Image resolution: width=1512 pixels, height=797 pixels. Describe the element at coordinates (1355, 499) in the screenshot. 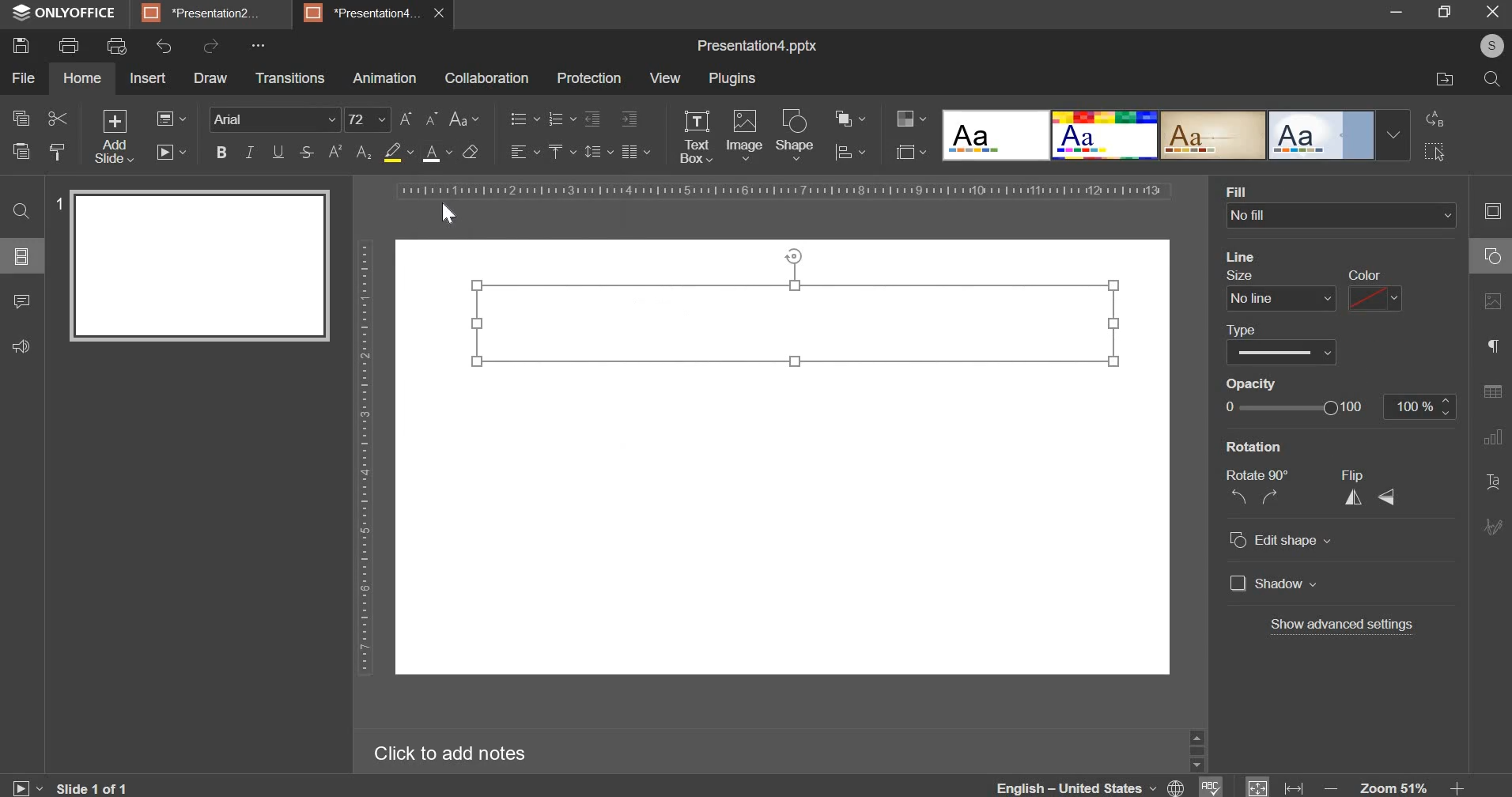

I see `vertical` at that location.